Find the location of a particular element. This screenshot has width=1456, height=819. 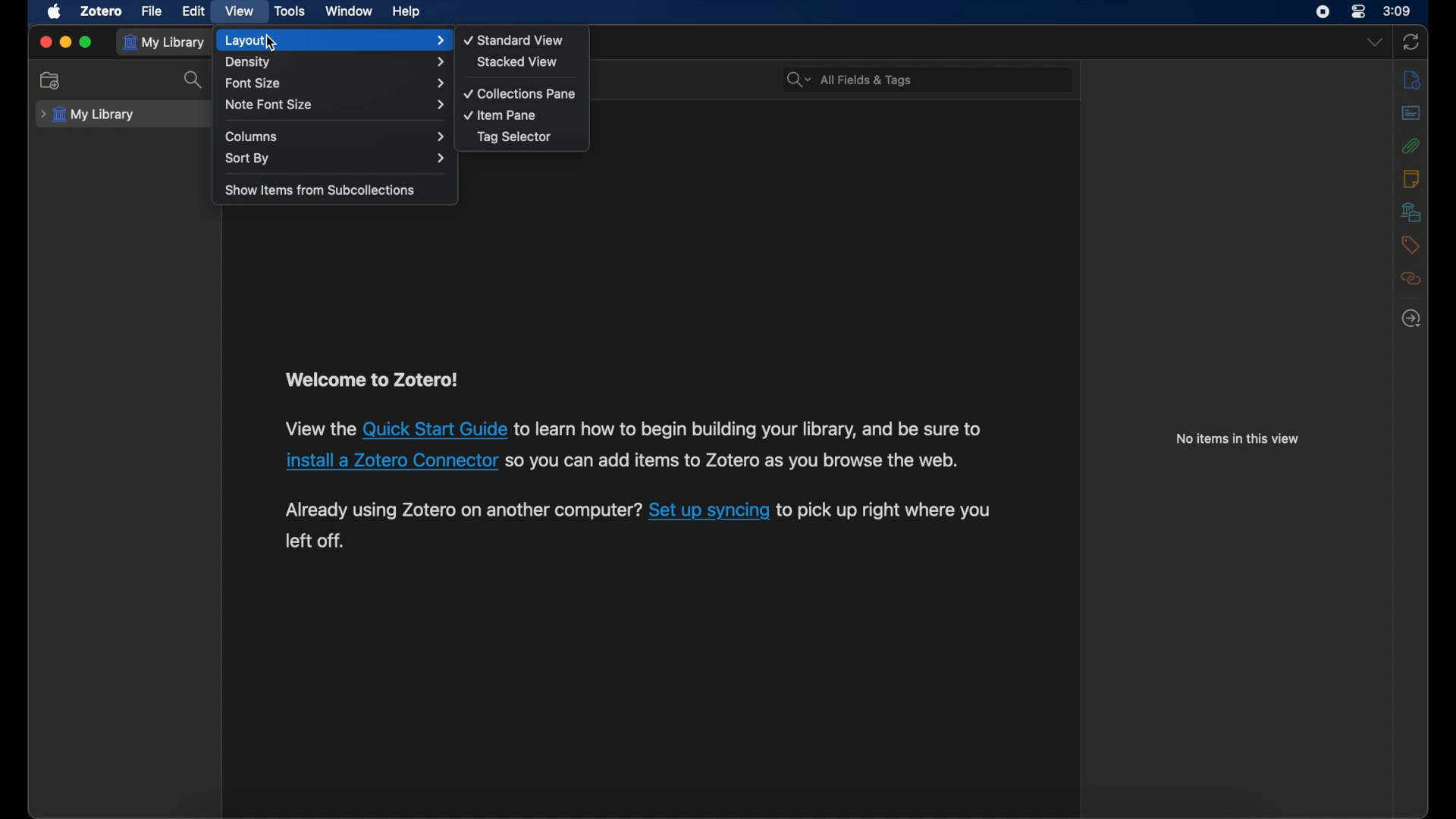

note font size is located at coordinates (335, 105).